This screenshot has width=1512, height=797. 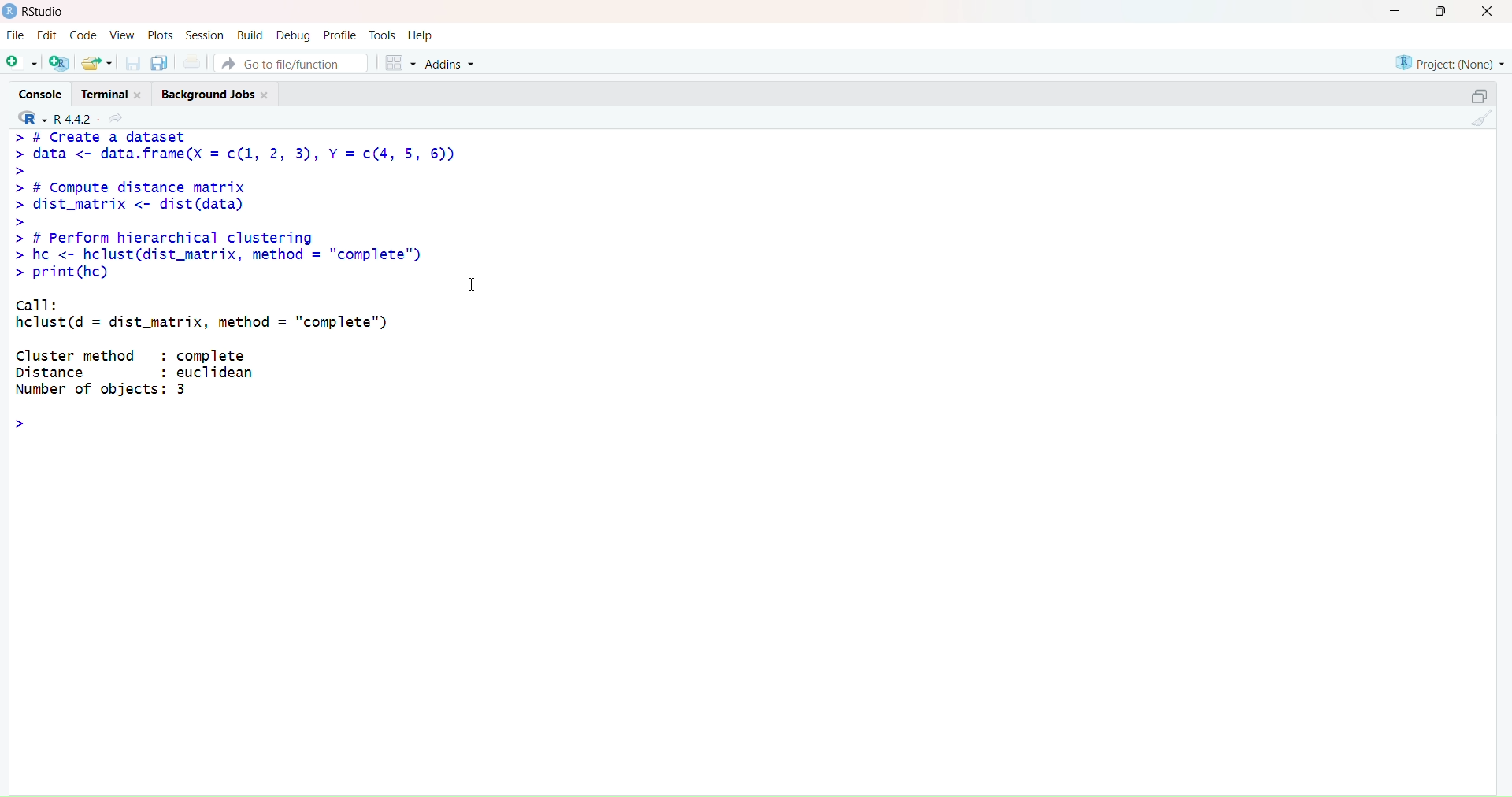 I want to click on Plots, so click(x=160, y=35).